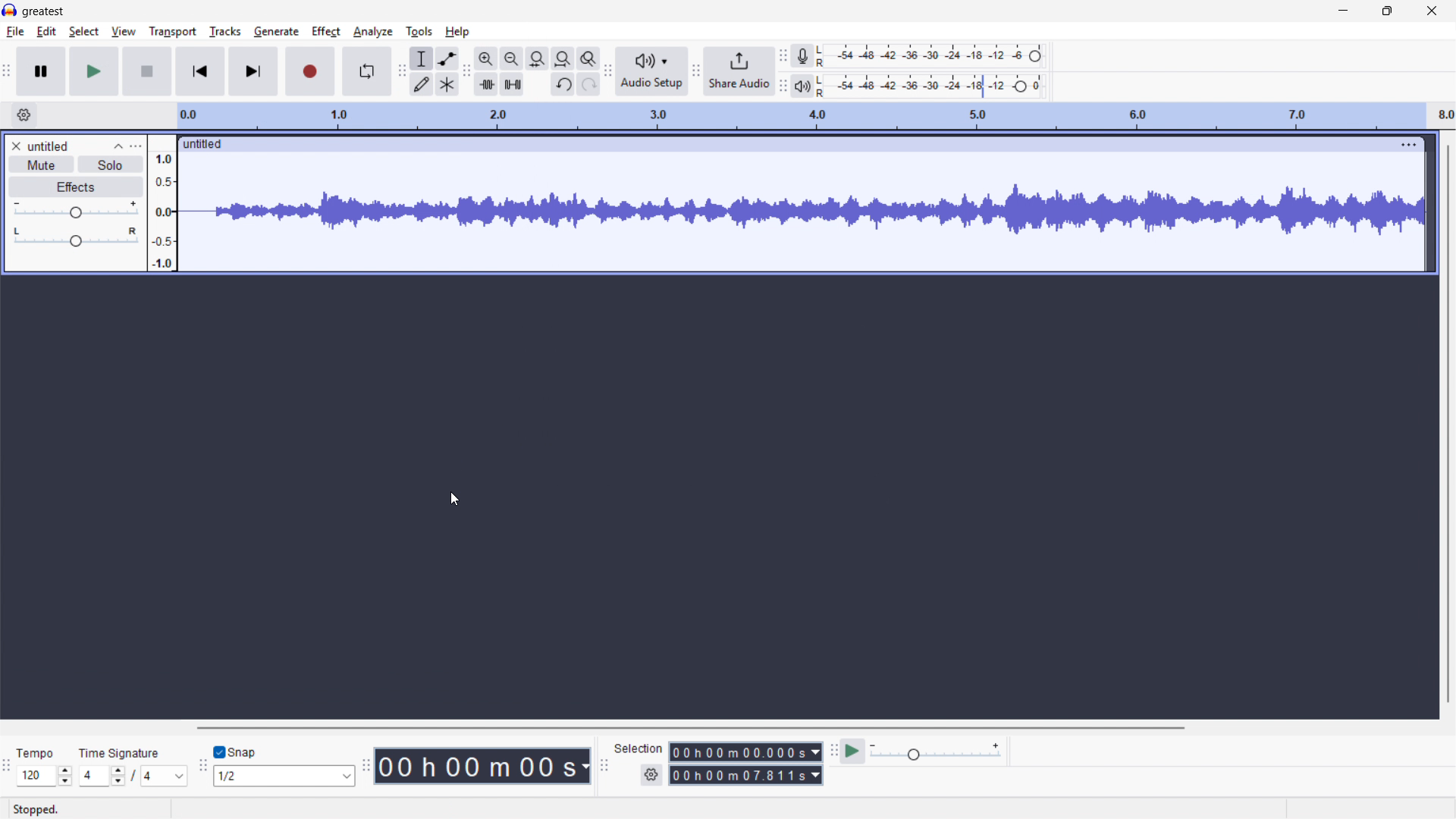 Image resolution: width=1456 pixels, height=819 pixels. Describe the element at coordinates (651, 71) in the screenshot. I see ` audio setup` at that location.